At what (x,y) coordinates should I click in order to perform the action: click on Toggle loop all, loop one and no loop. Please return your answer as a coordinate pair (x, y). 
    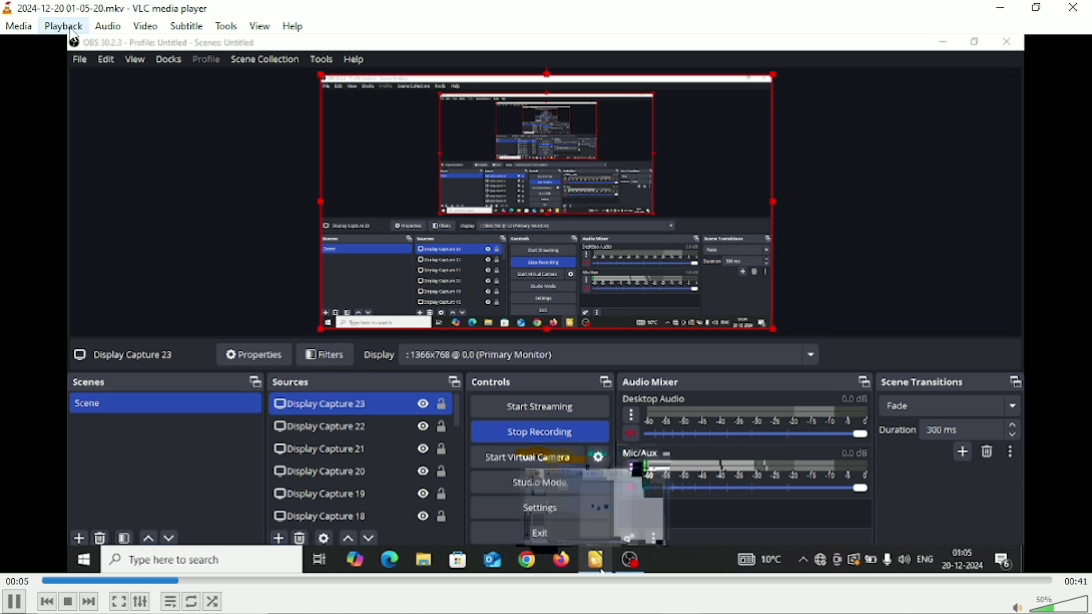
    Looking at the image, I should click on (191, 601).